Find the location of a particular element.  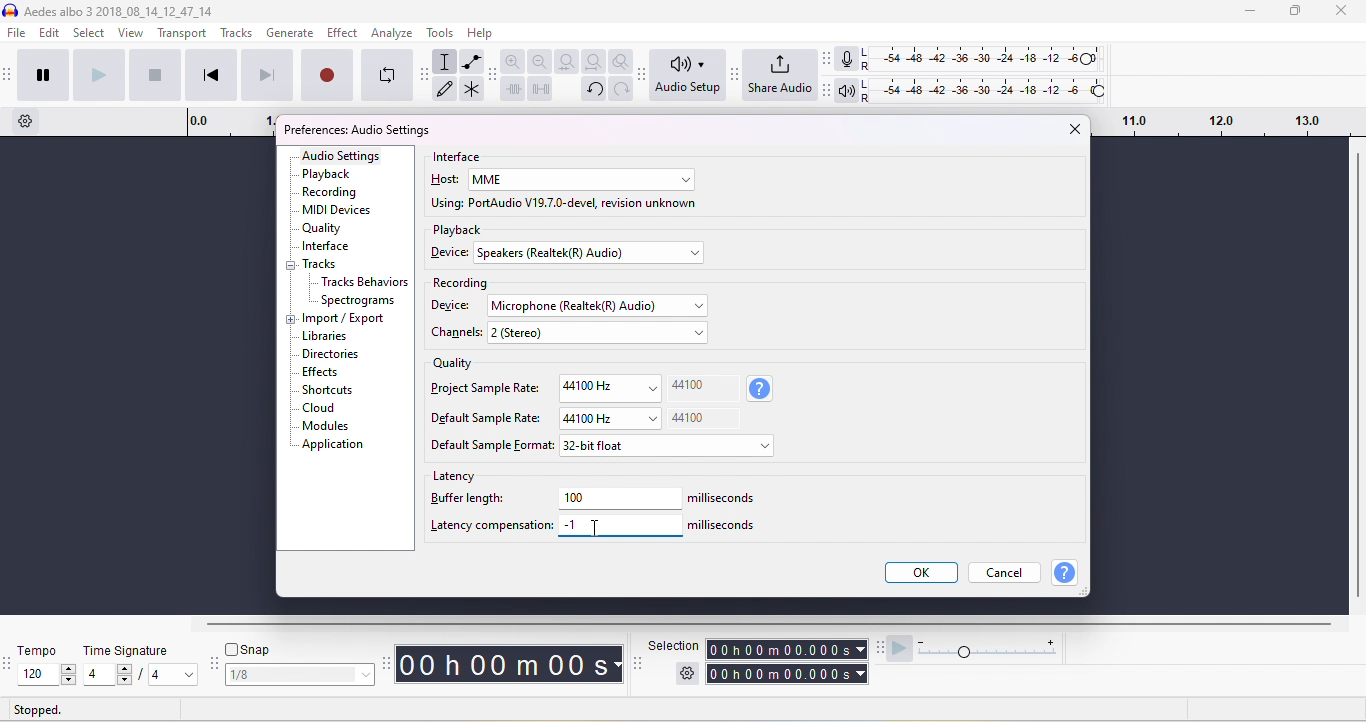

select tempo is located at coordinates (46, 675).